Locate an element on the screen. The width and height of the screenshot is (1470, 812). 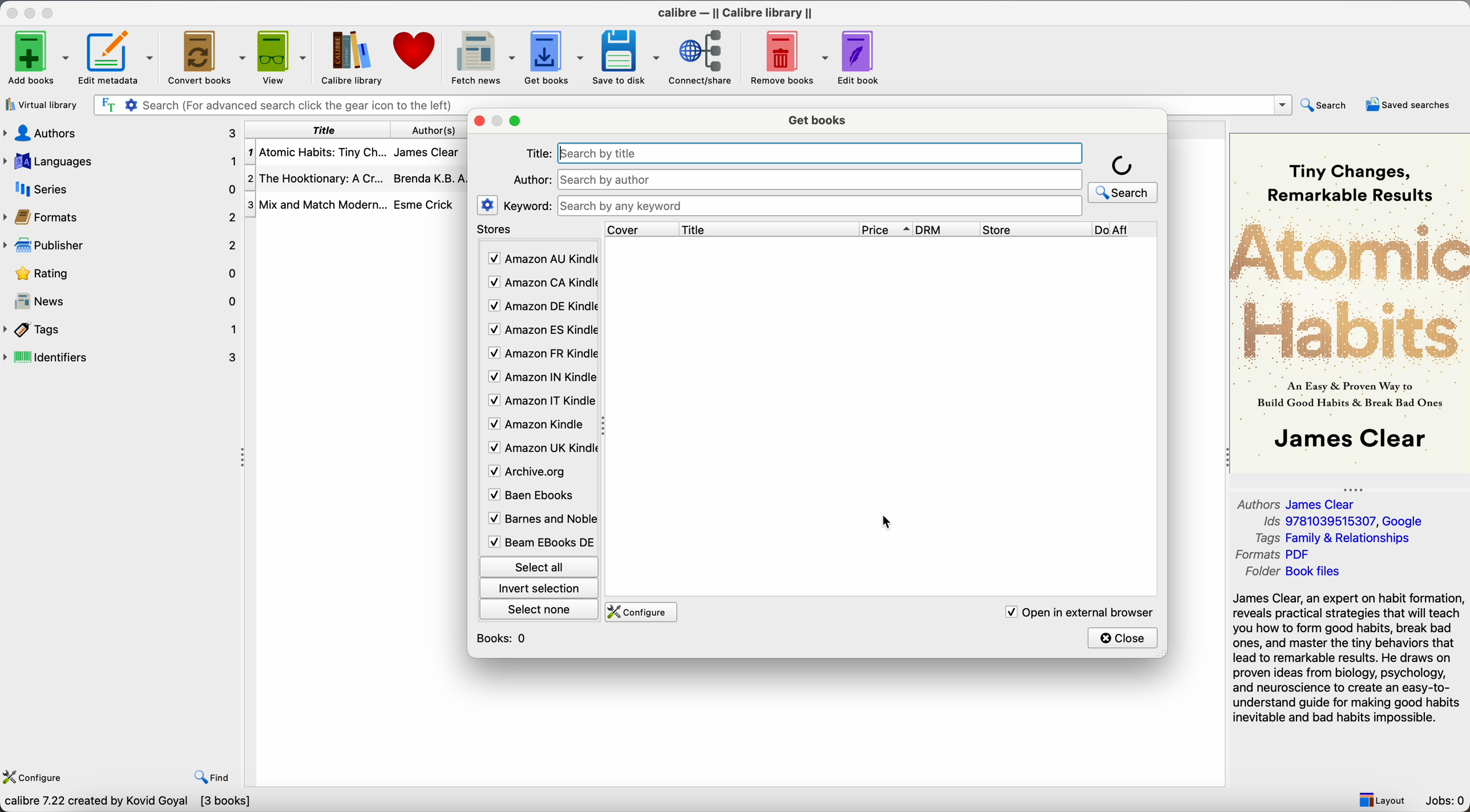
edit book is located at coordinates (860, 56).